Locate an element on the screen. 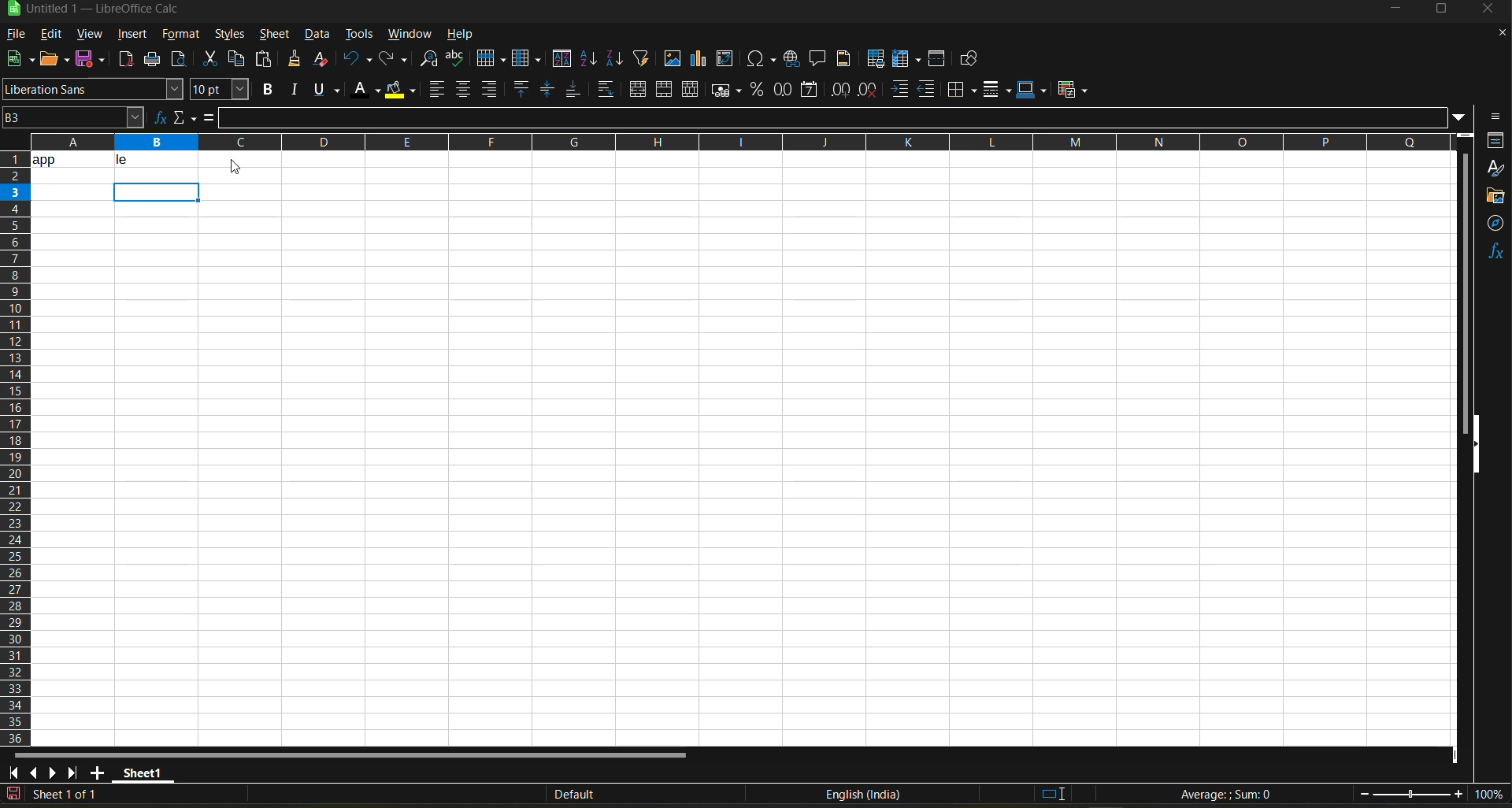 The image size is (1512, 808). app name and file name is located at coordinates (109, 12).